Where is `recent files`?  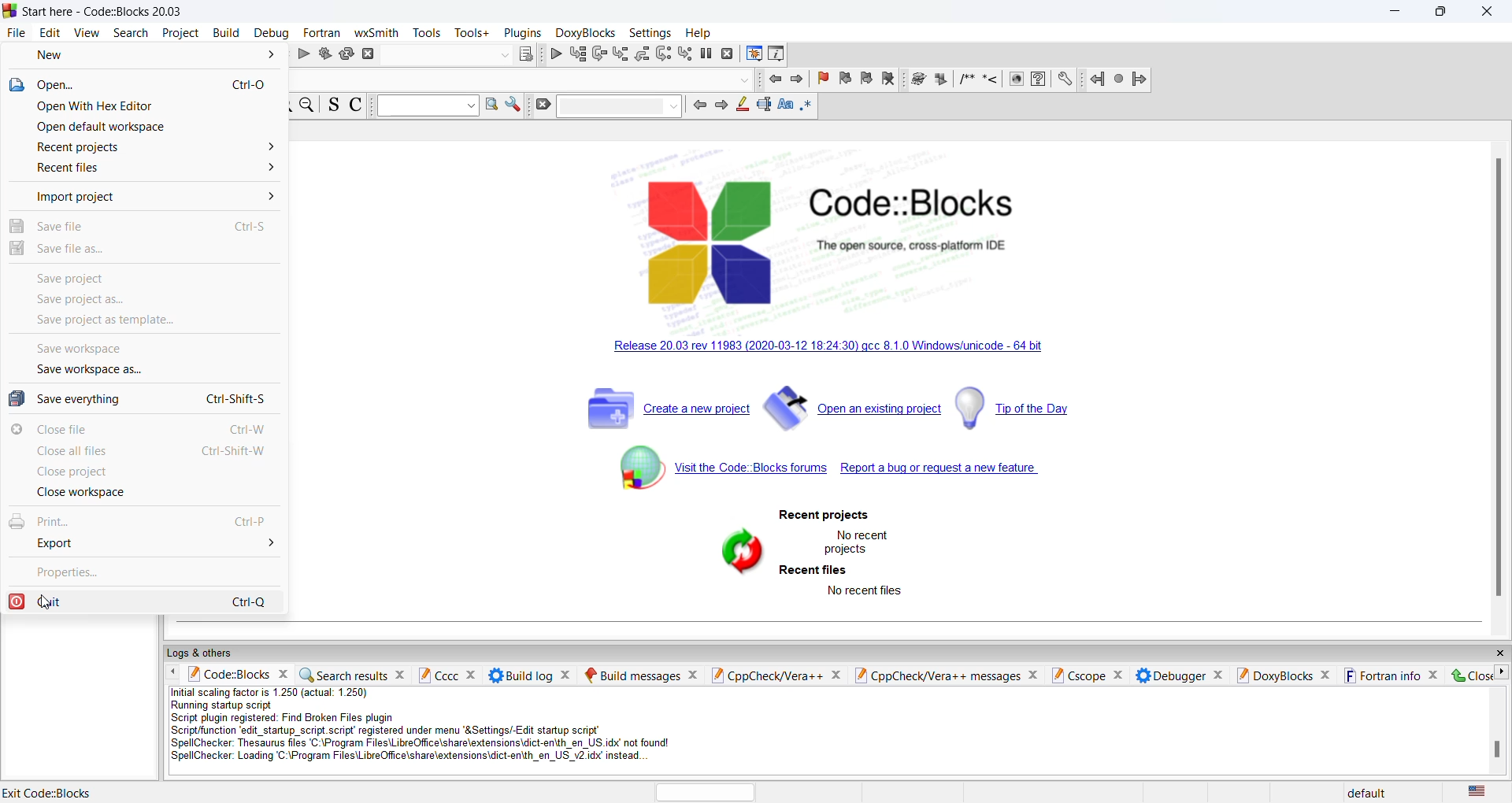 recent files is located at coordinates (814, 571).